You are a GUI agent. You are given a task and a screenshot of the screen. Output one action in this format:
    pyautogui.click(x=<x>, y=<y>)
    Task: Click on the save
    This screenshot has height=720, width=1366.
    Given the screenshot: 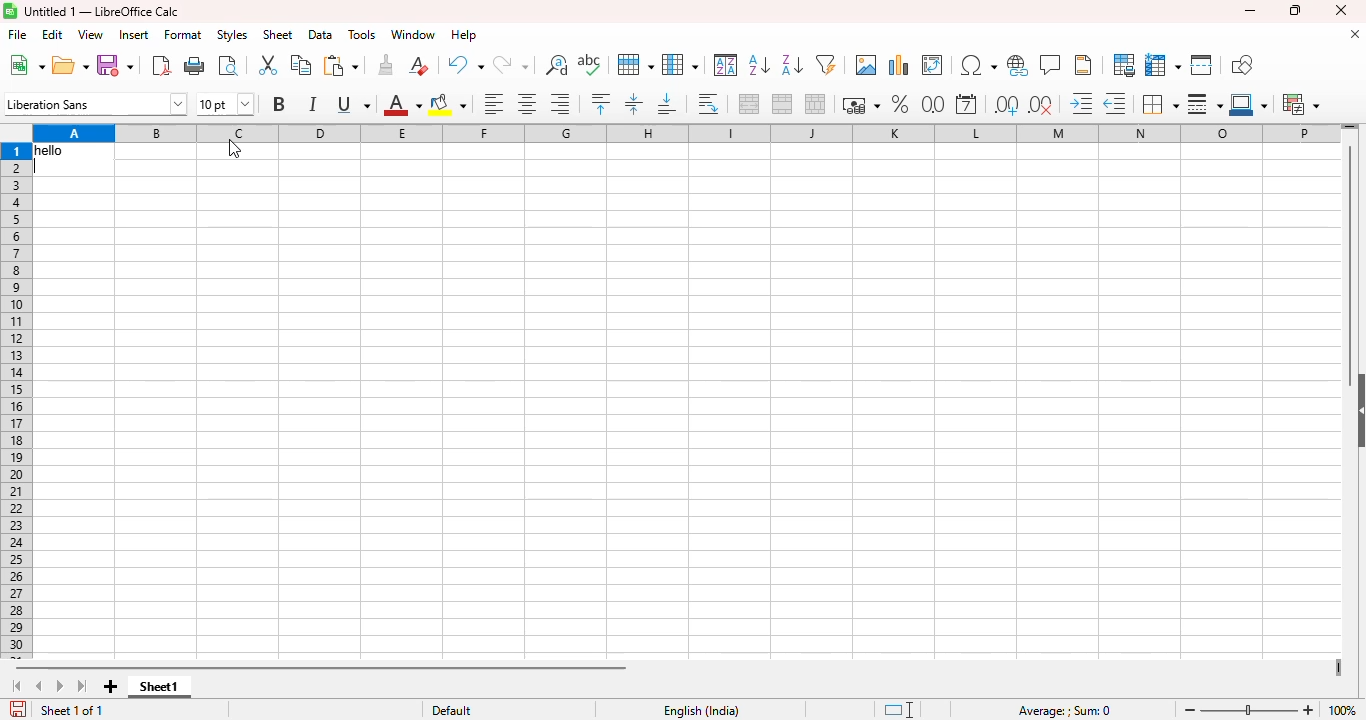 What is the action you would take?
    pyautogui.click(x=115, y=65)
    